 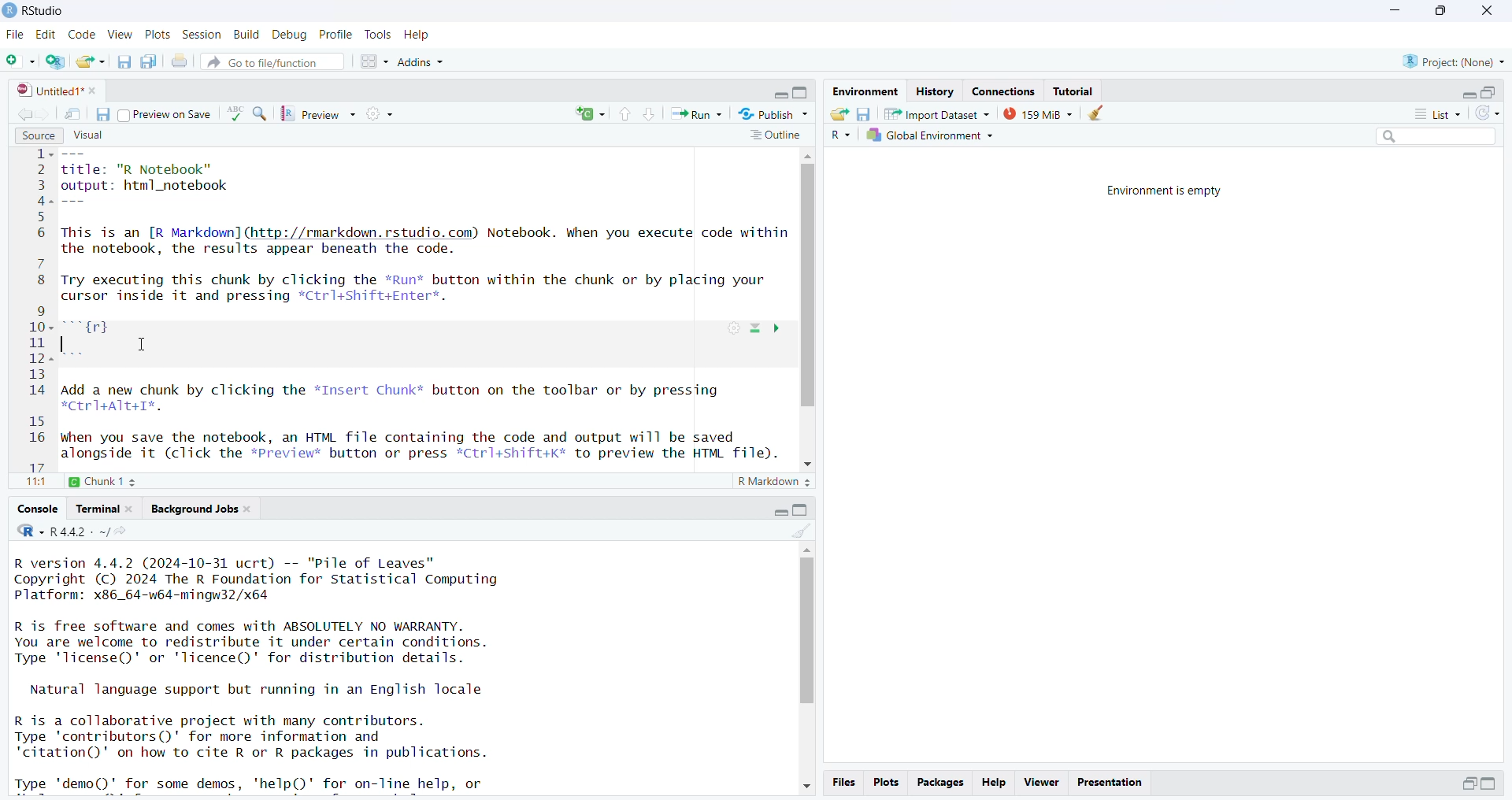 What do you see at coordinates (159, 35) in the screenshot?
I see `plots` at bounding box center [159, 35].